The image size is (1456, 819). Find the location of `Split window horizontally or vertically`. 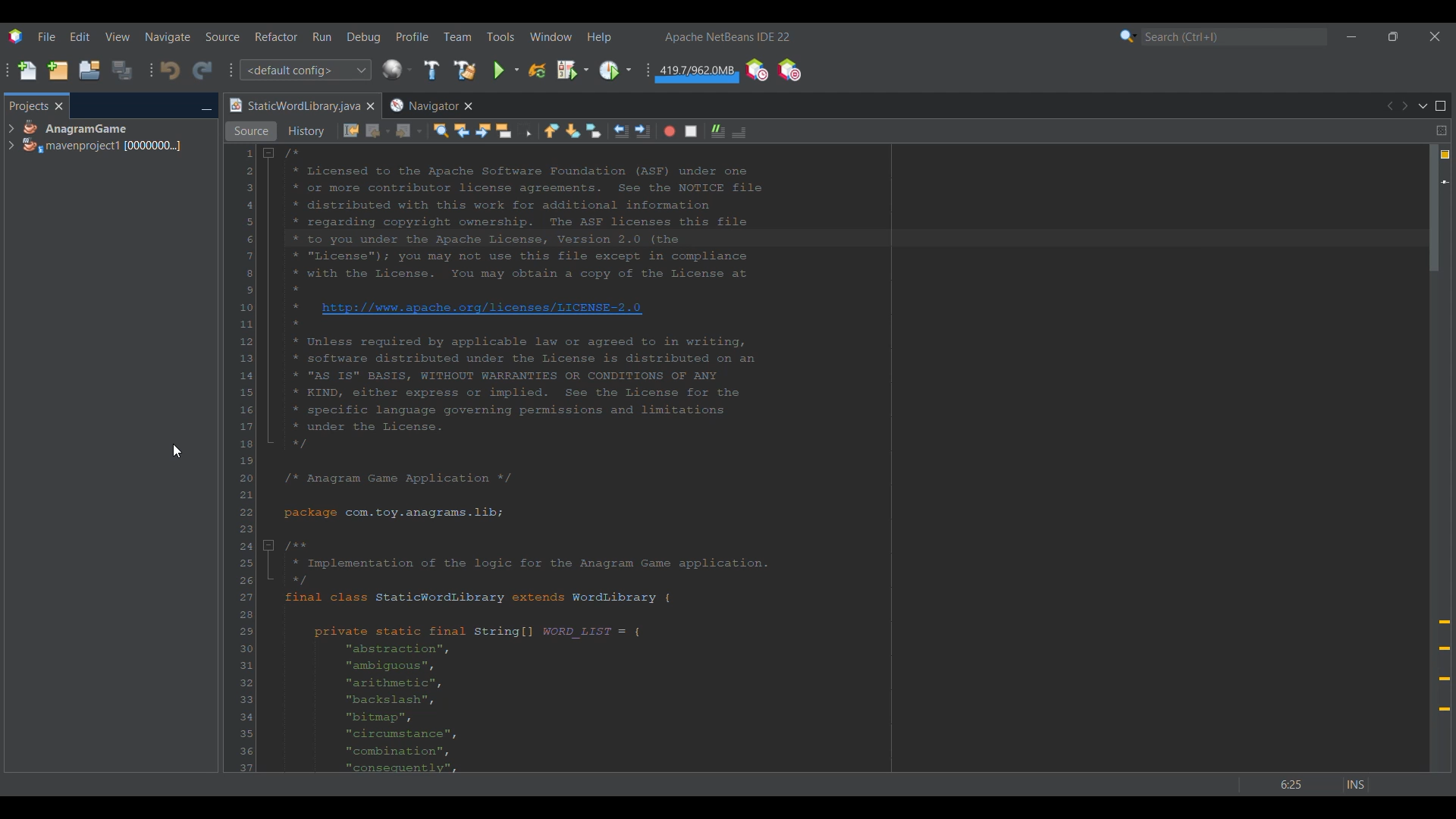

Split window horizontally or vertically is located at coordinates (1441, 130).